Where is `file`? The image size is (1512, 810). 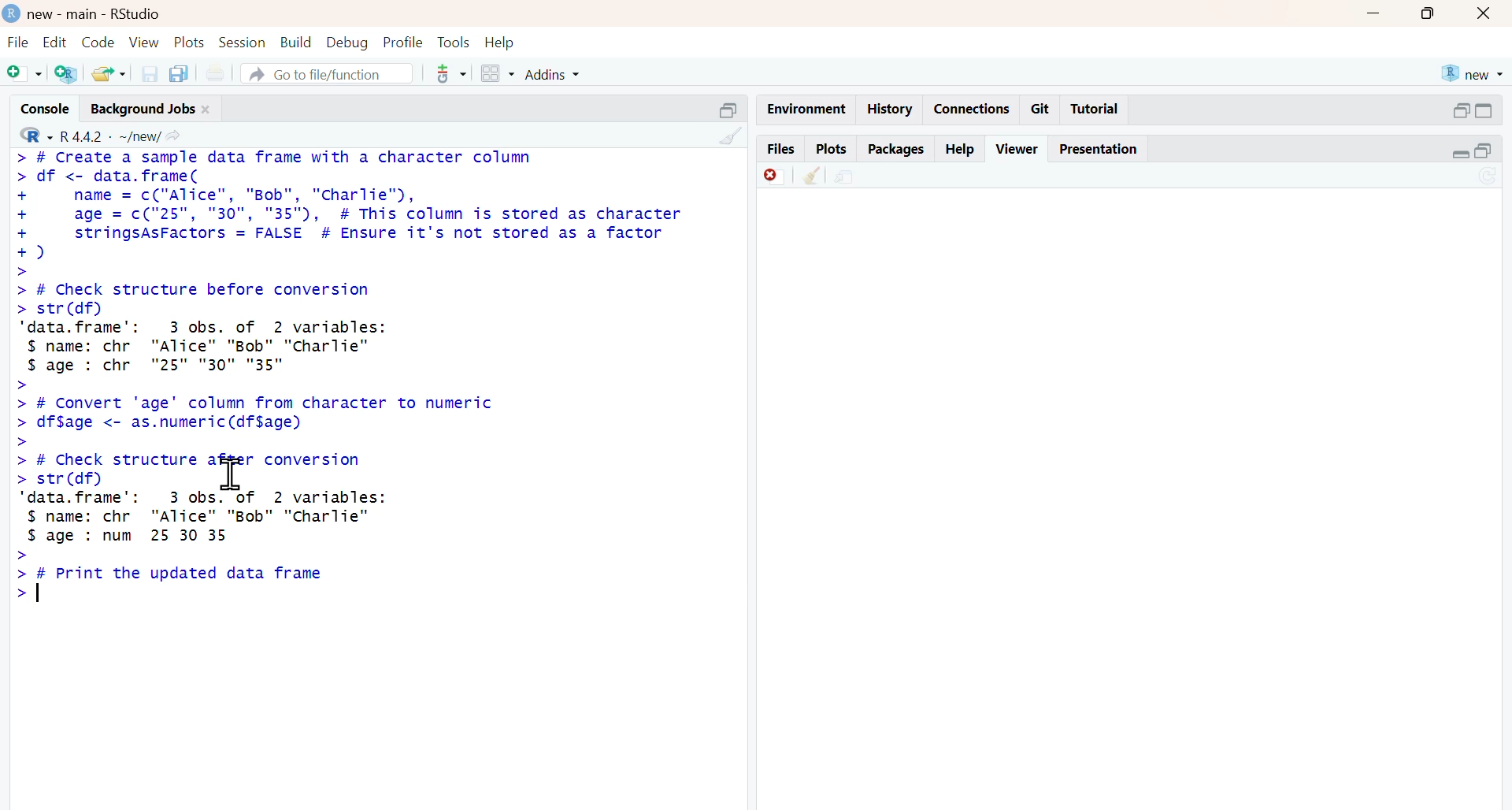 file is located at coordinates (17, 42).